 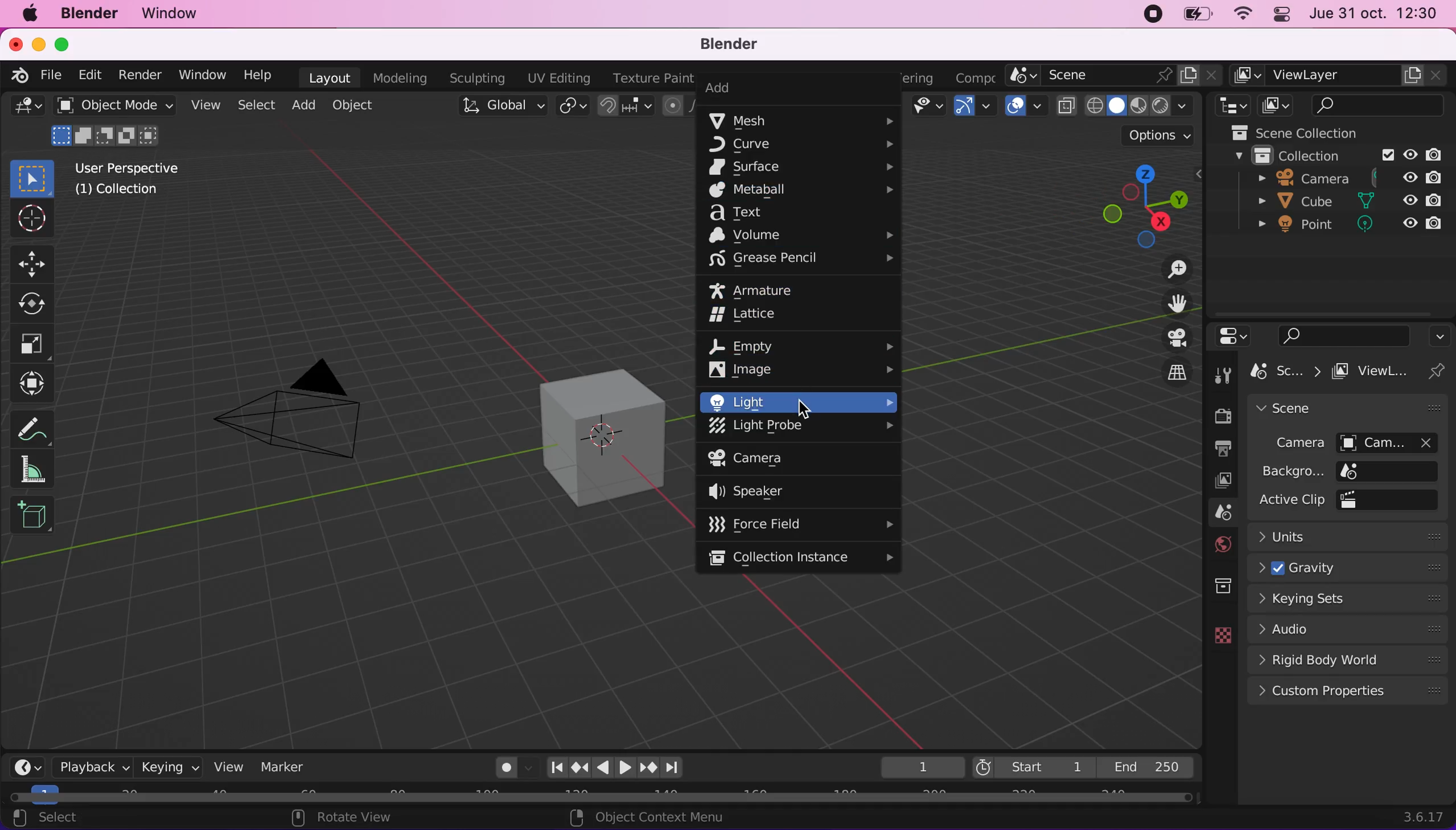 What do you see at coordinates (552, 768) in the screenshot?
I see `Jump to startpoint` at bounding box center [552, 768].